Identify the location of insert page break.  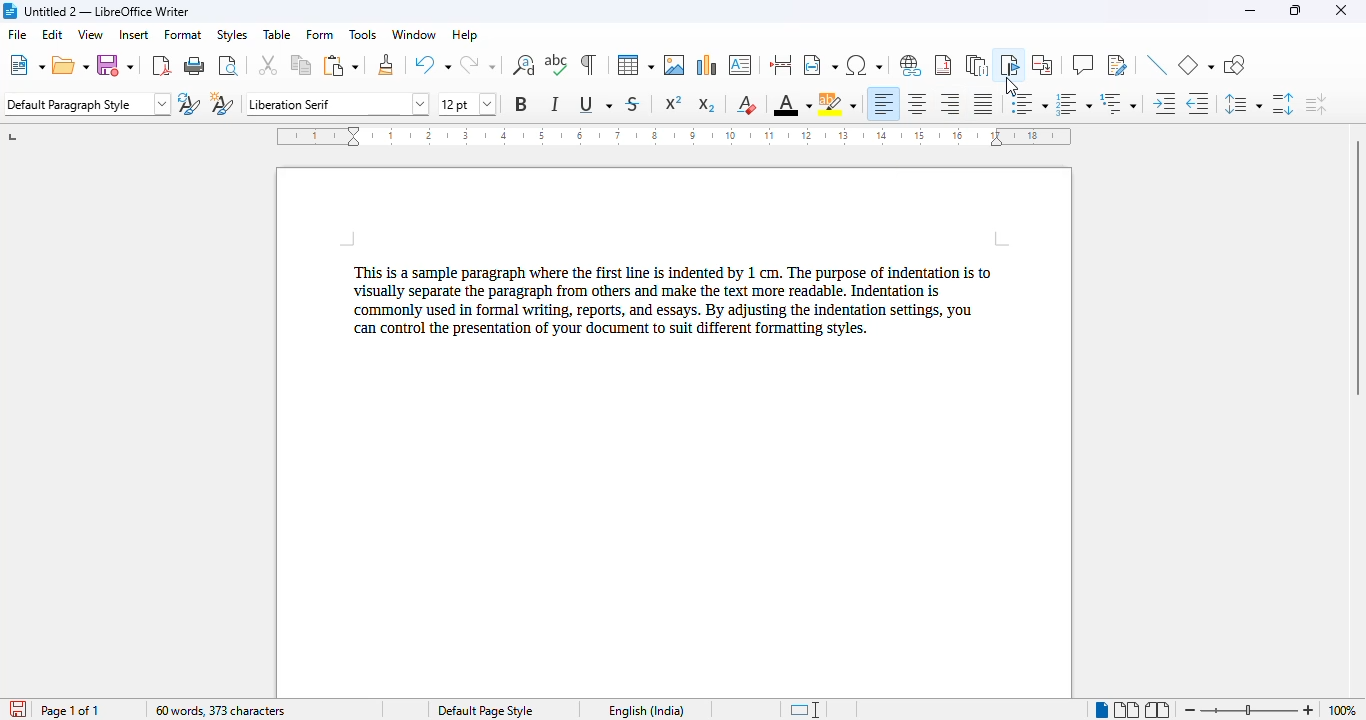
(782, 65).